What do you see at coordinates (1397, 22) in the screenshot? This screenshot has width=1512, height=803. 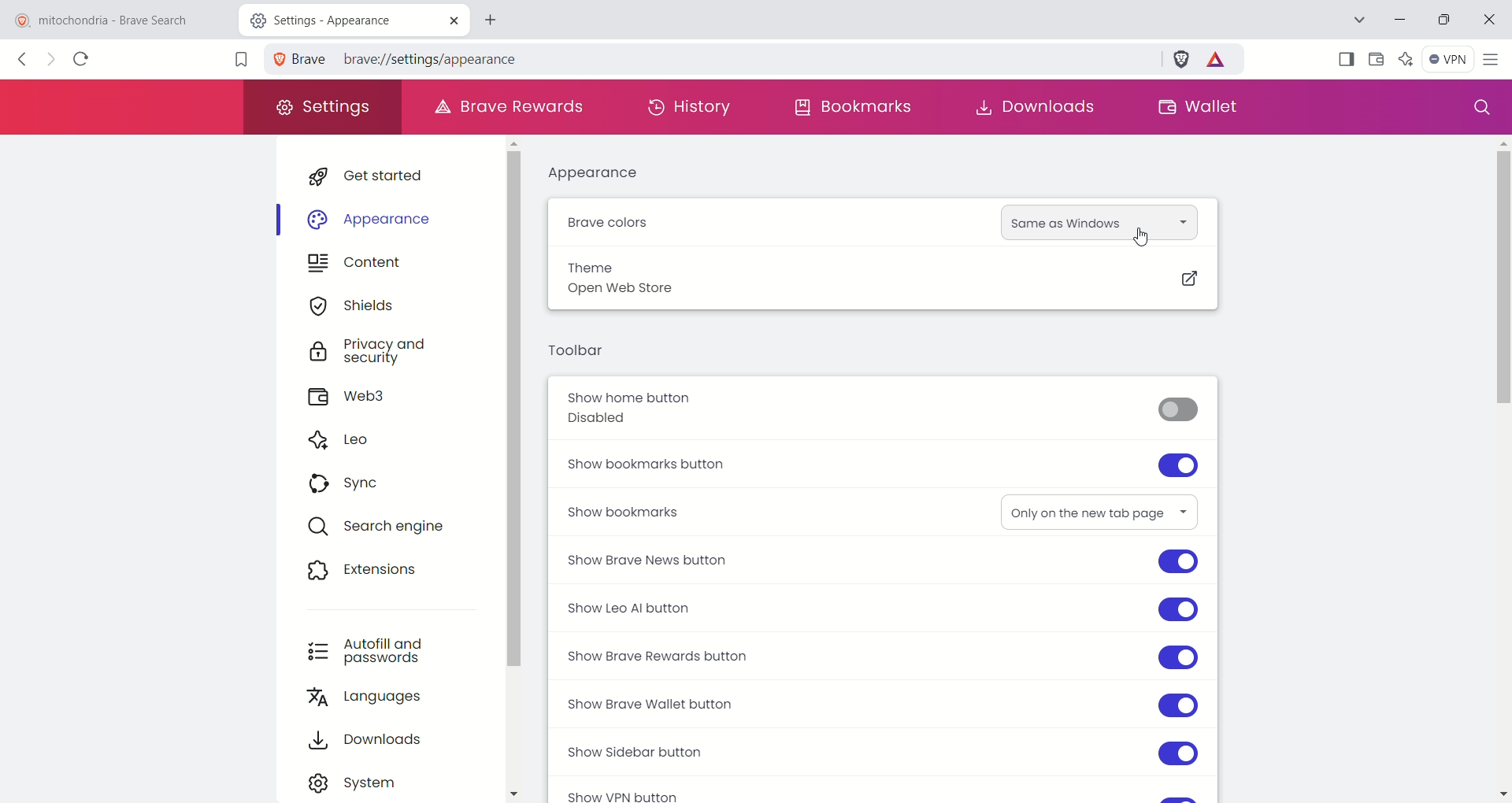 I see `minimize` at bounding box center [1397, 22].